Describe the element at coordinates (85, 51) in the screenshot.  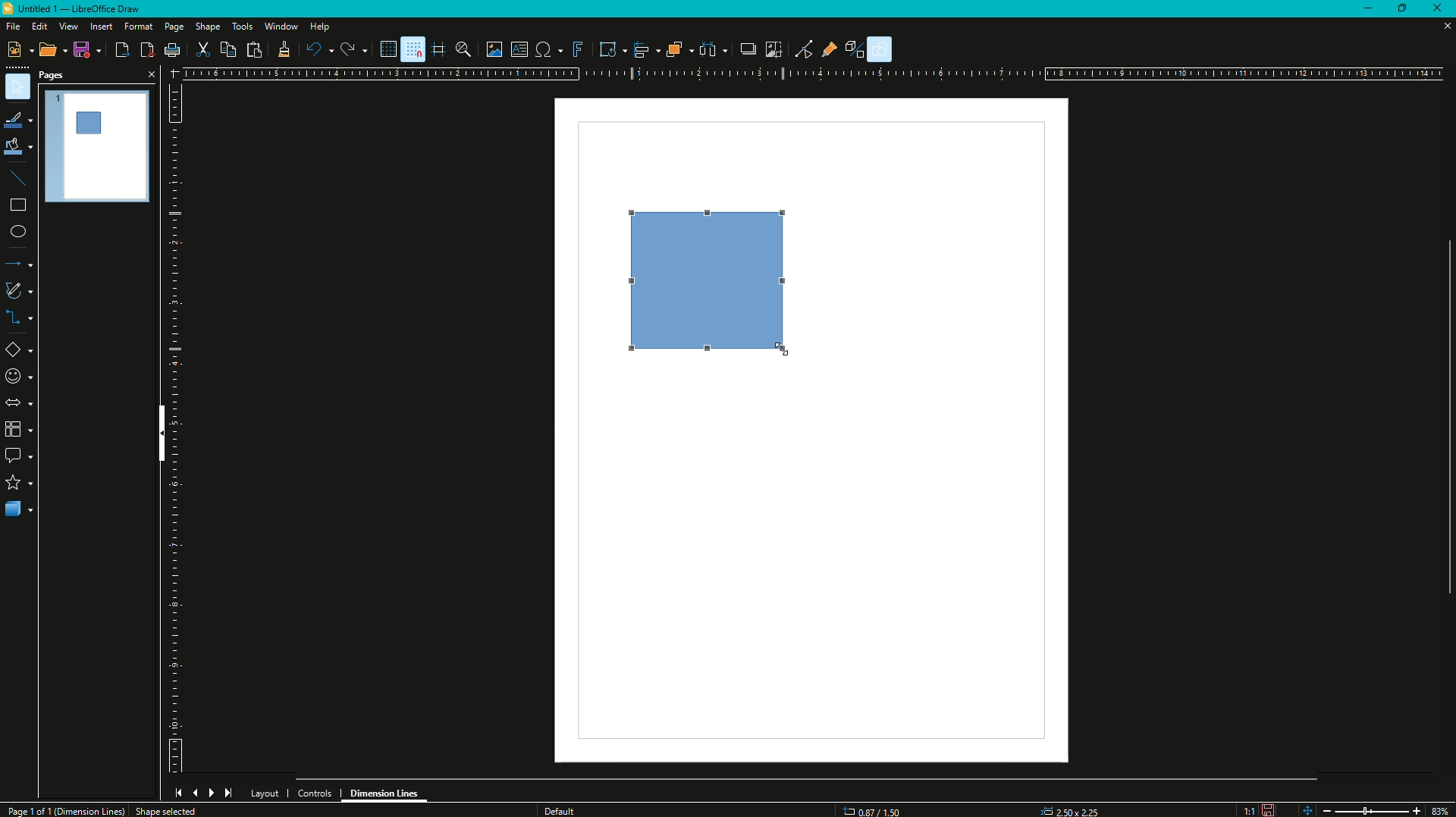
I see `Save` at that location.